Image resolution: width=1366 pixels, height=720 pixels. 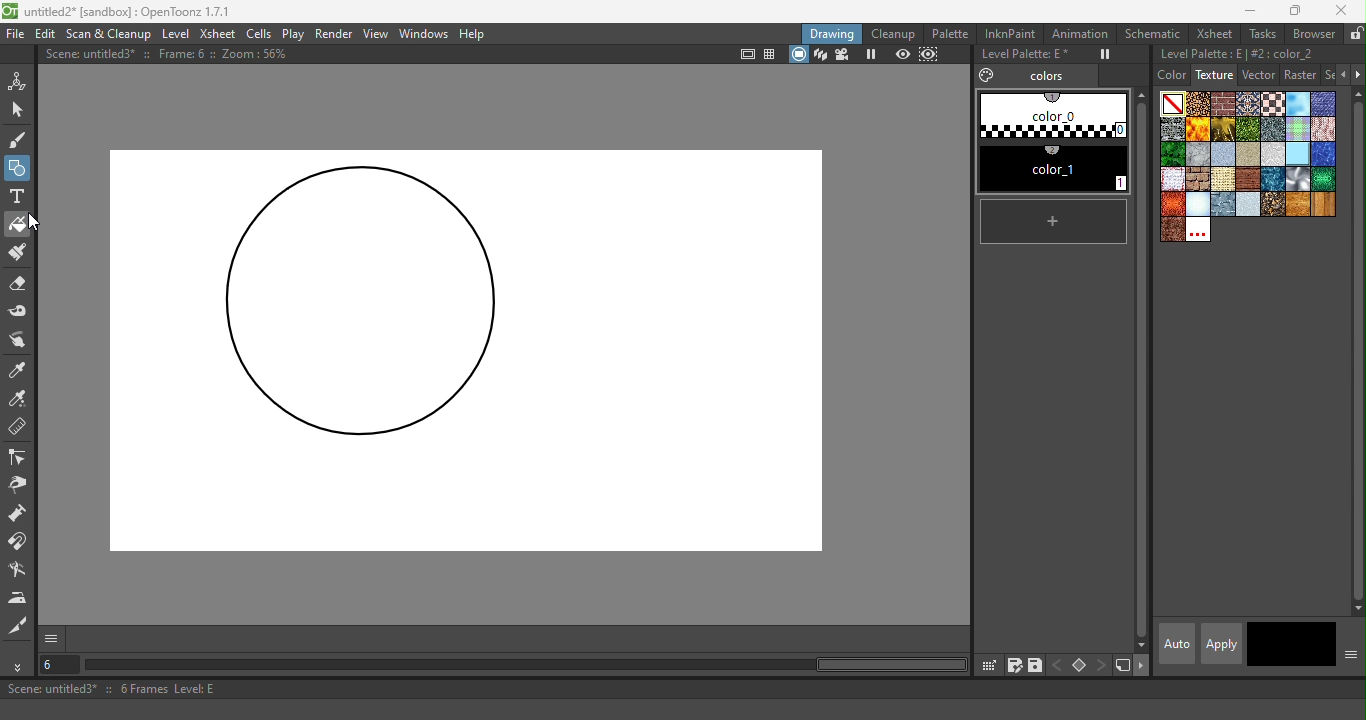 I want to click on Scan & Clenaup, so click(x=110, y=34).